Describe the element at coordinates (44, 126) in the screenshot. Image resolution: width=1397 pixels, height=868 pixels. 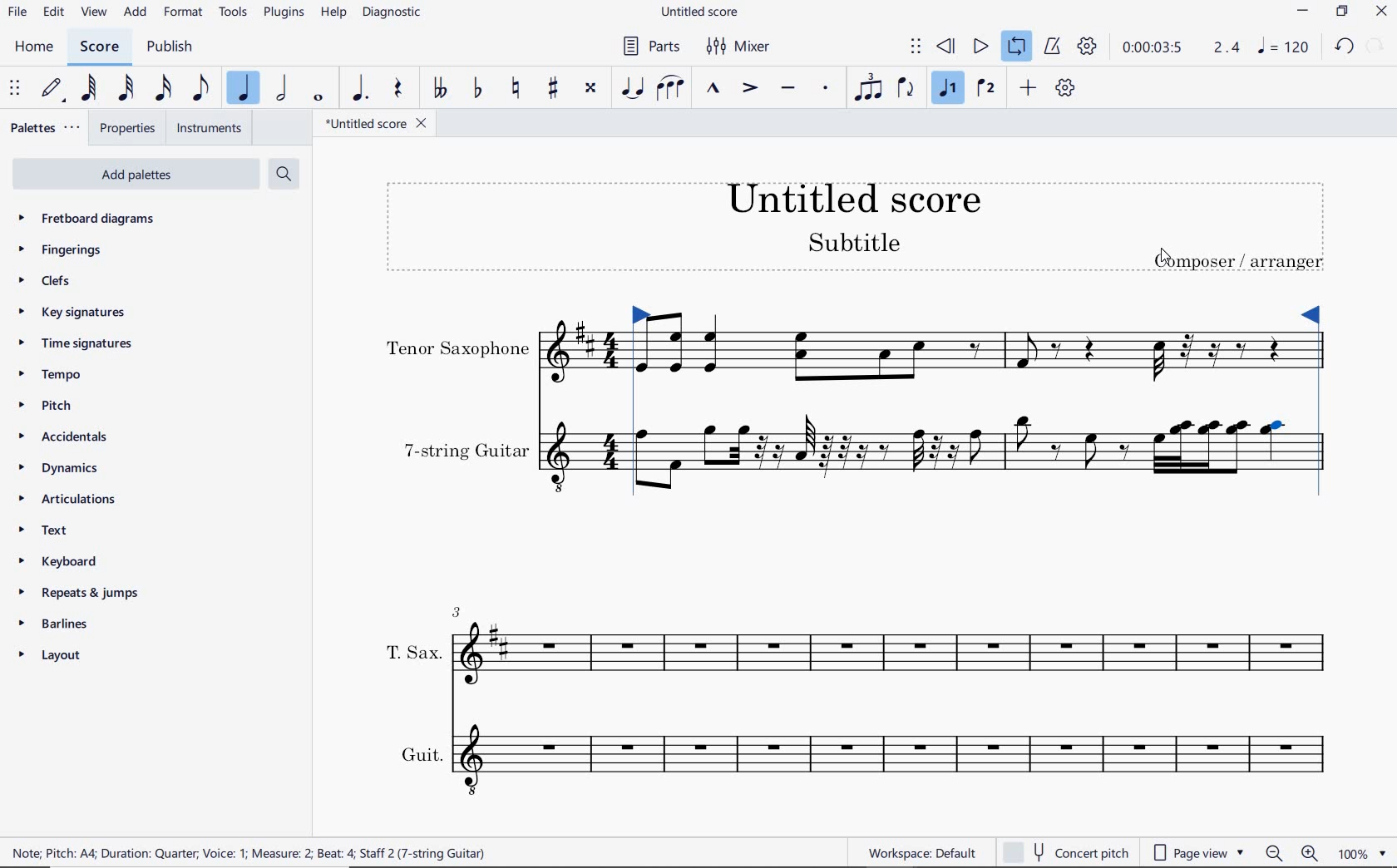
I see `PALETTES` at that location.